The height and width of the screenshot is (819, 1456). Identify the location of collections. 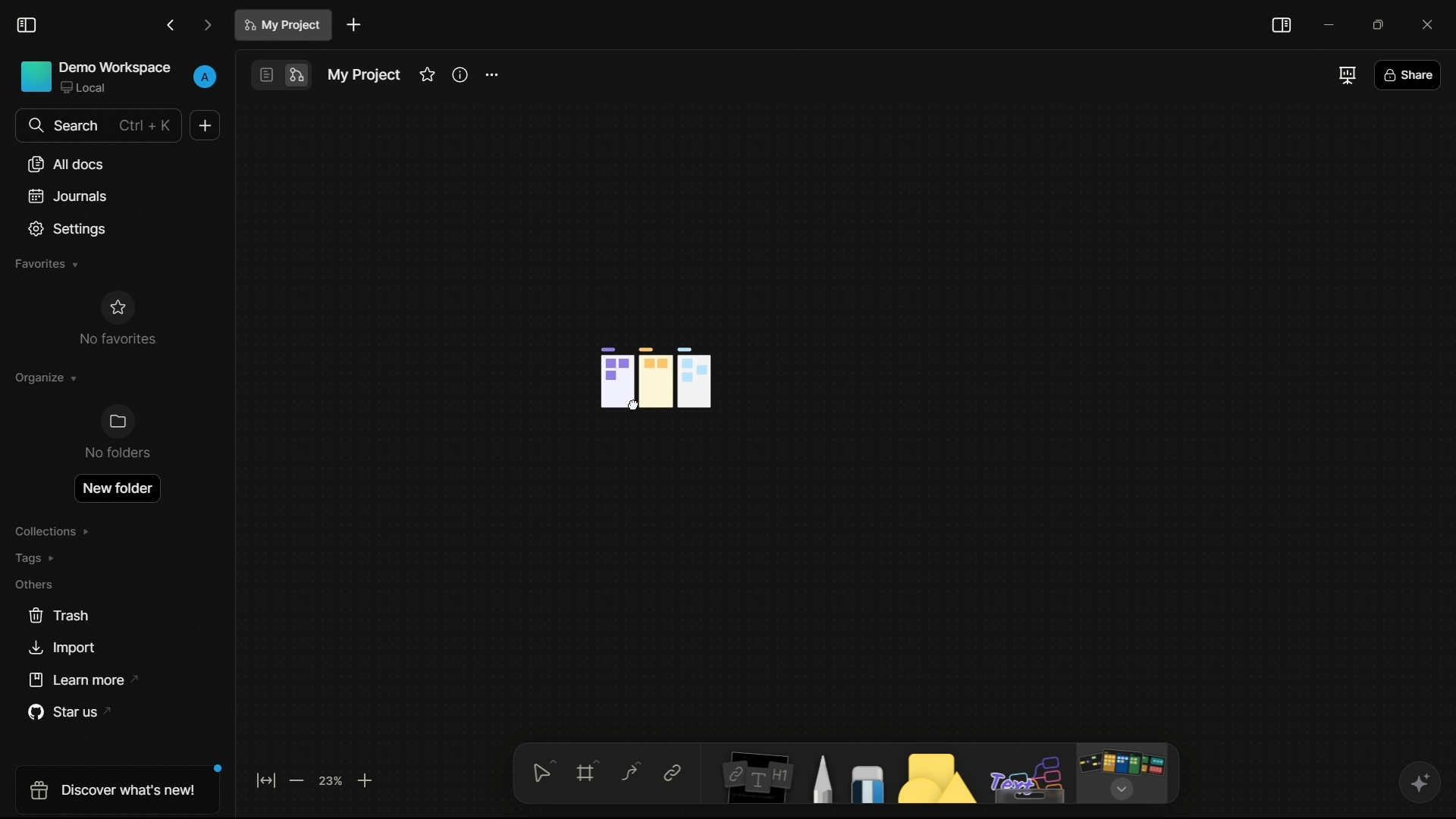
(52, 532).